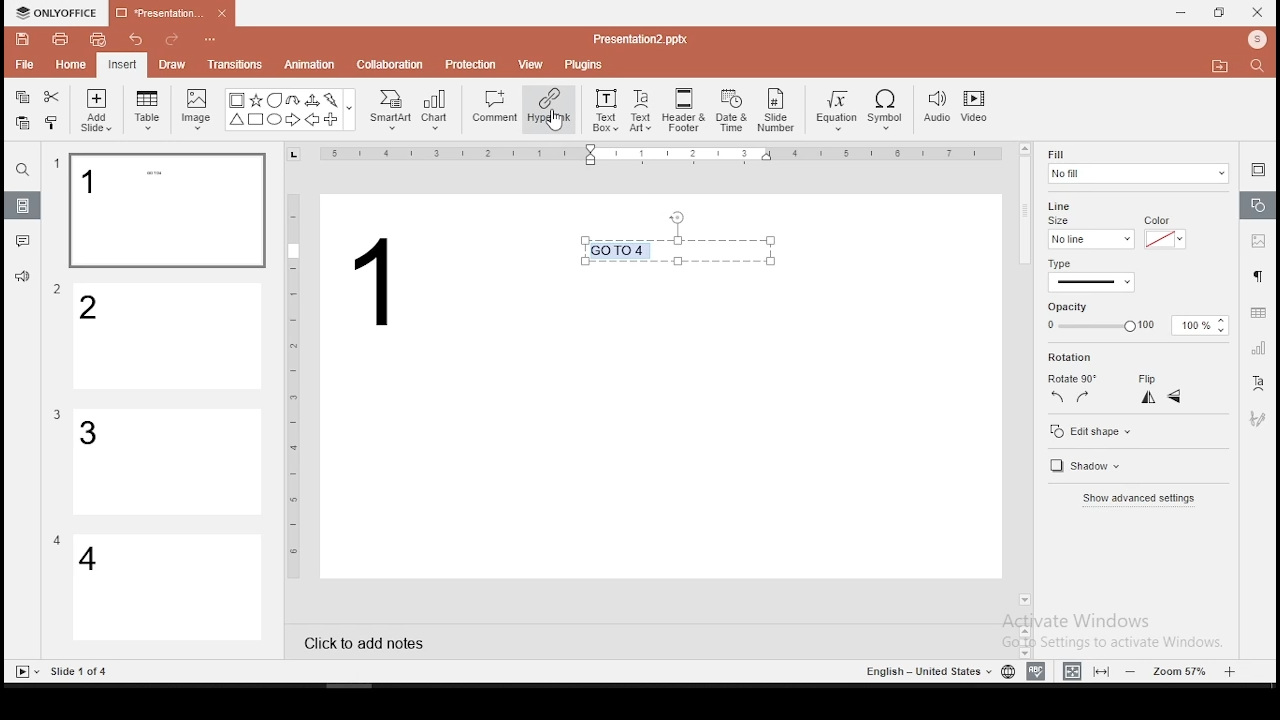 The width and height of the screenshot is (1280, 720). What do you see at coordinates (604, 108) in the screenshot?
I see `text box` at bounding box center [604, 108].